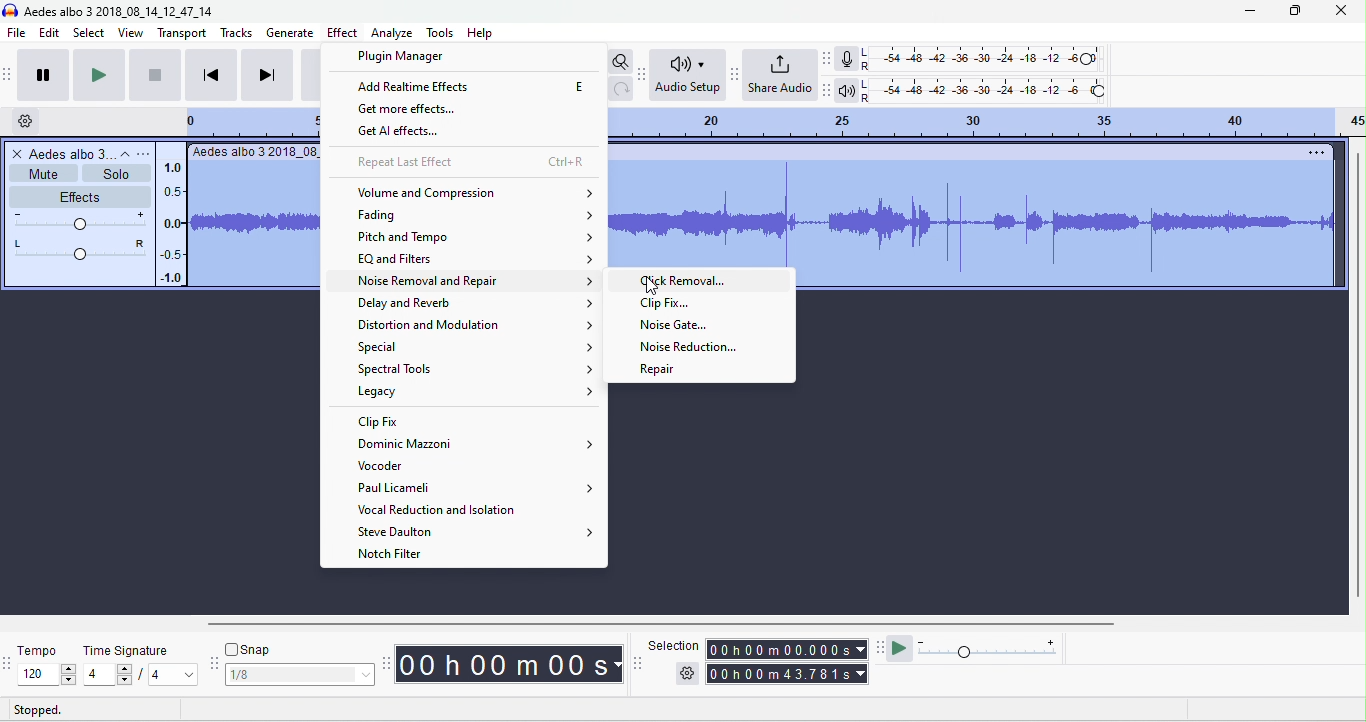 This screenshot has height=722, width=1366. Describe the element at coordinates (477, 304) in the screenshot. I see `delay and reverb` at that location.